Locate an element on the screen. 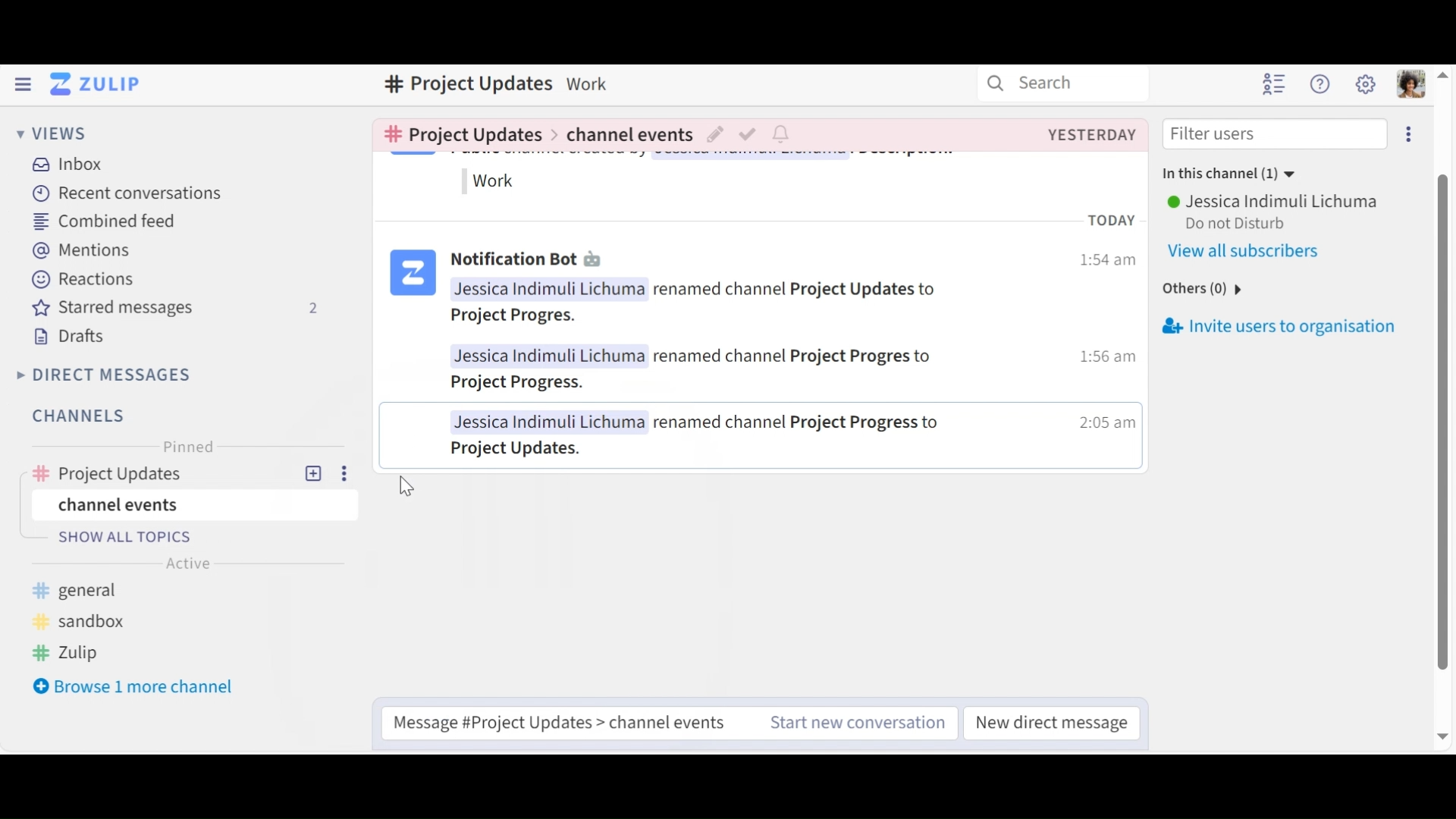 Image resolution: width=1456 pixels, height=819 pixels. Browser 1 more channel is located at coordinates (133, 686).